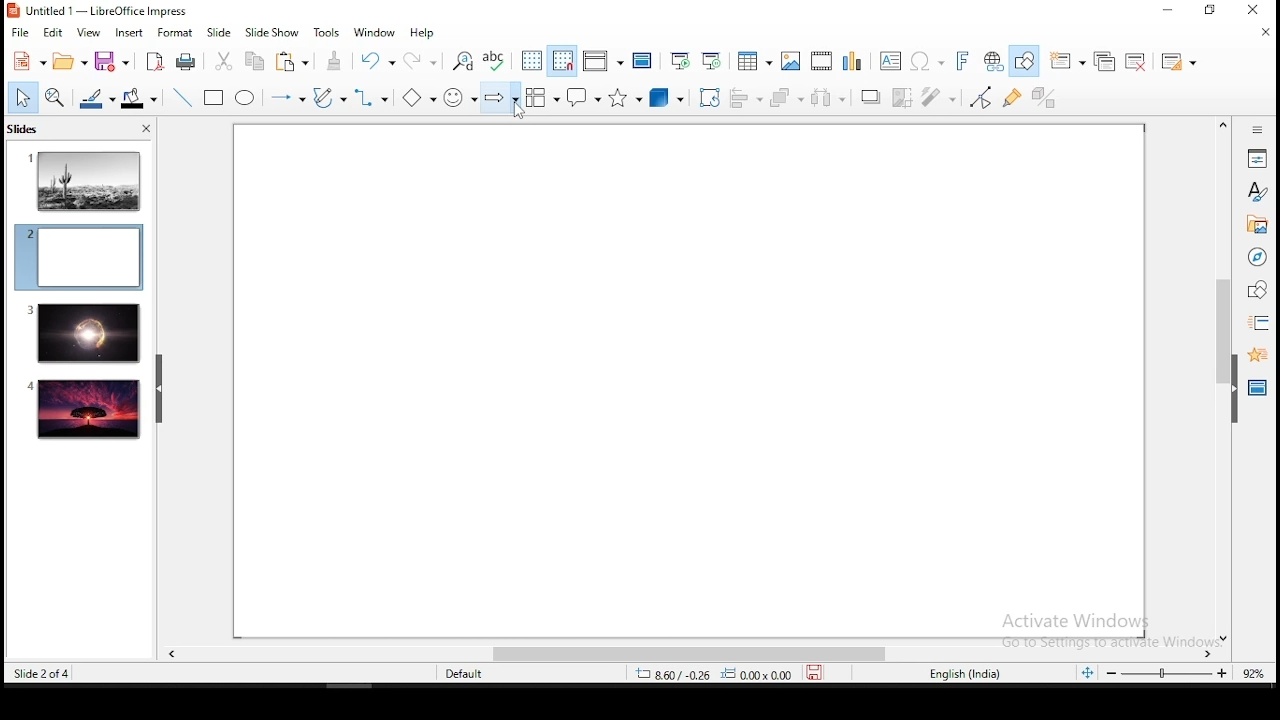  I want to click on ellipse, so click(244, 98).